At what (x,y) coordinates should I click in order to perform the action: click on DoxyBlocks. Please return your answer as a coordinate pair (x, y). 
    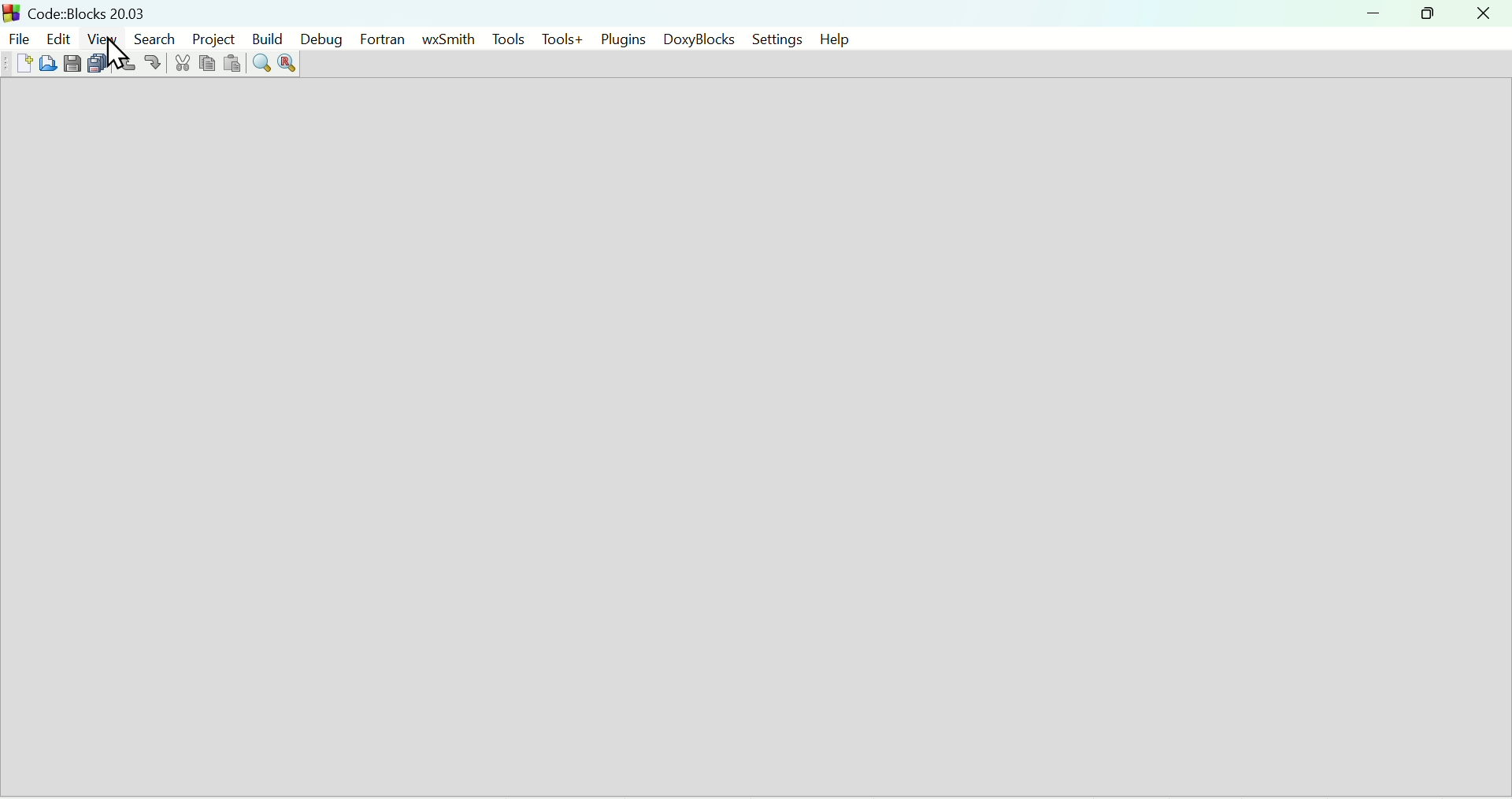
    Looking at the image, I should click on (695, 39).